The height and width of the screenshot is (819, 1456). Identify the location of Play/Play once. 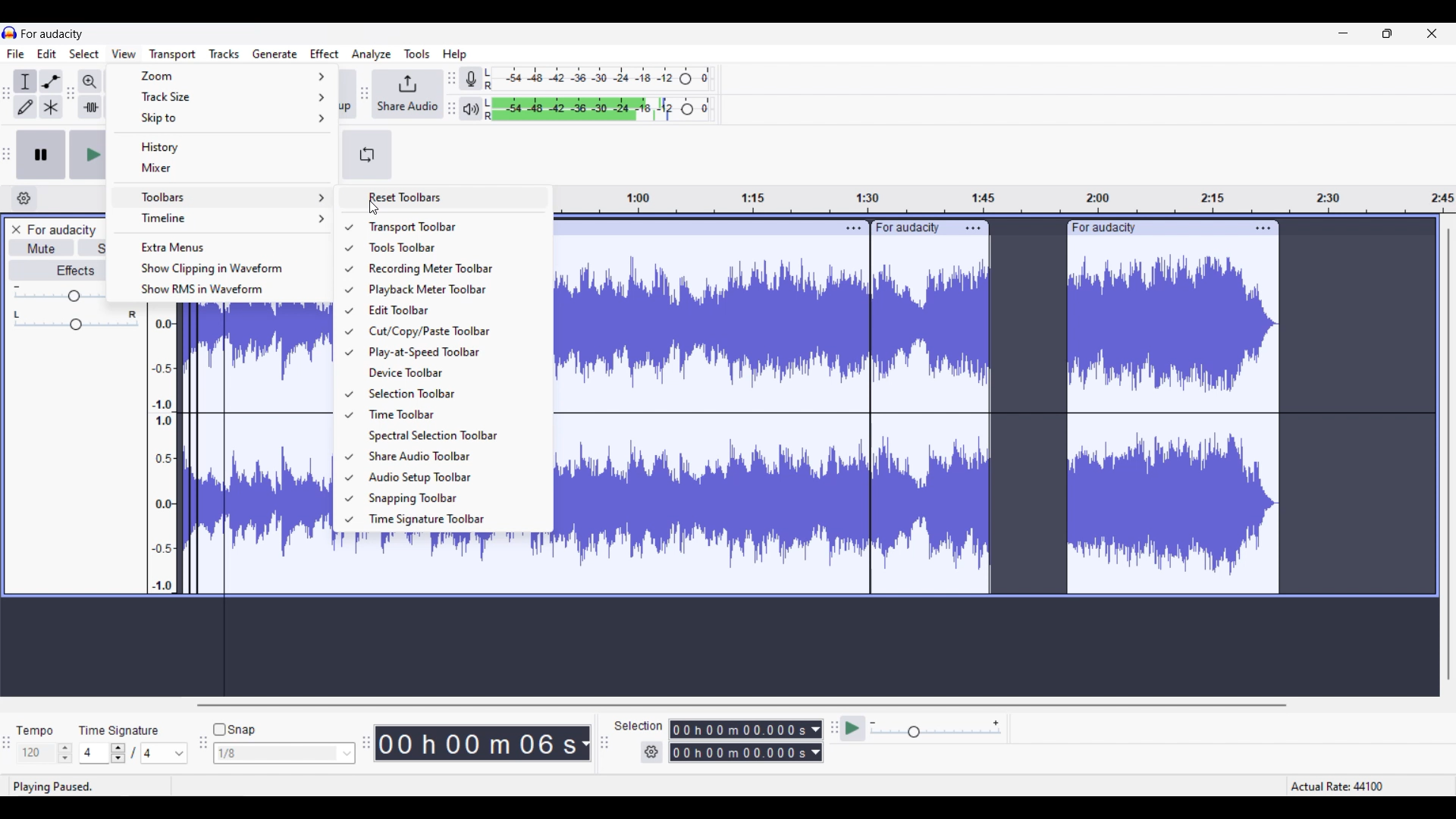
(87, 154).